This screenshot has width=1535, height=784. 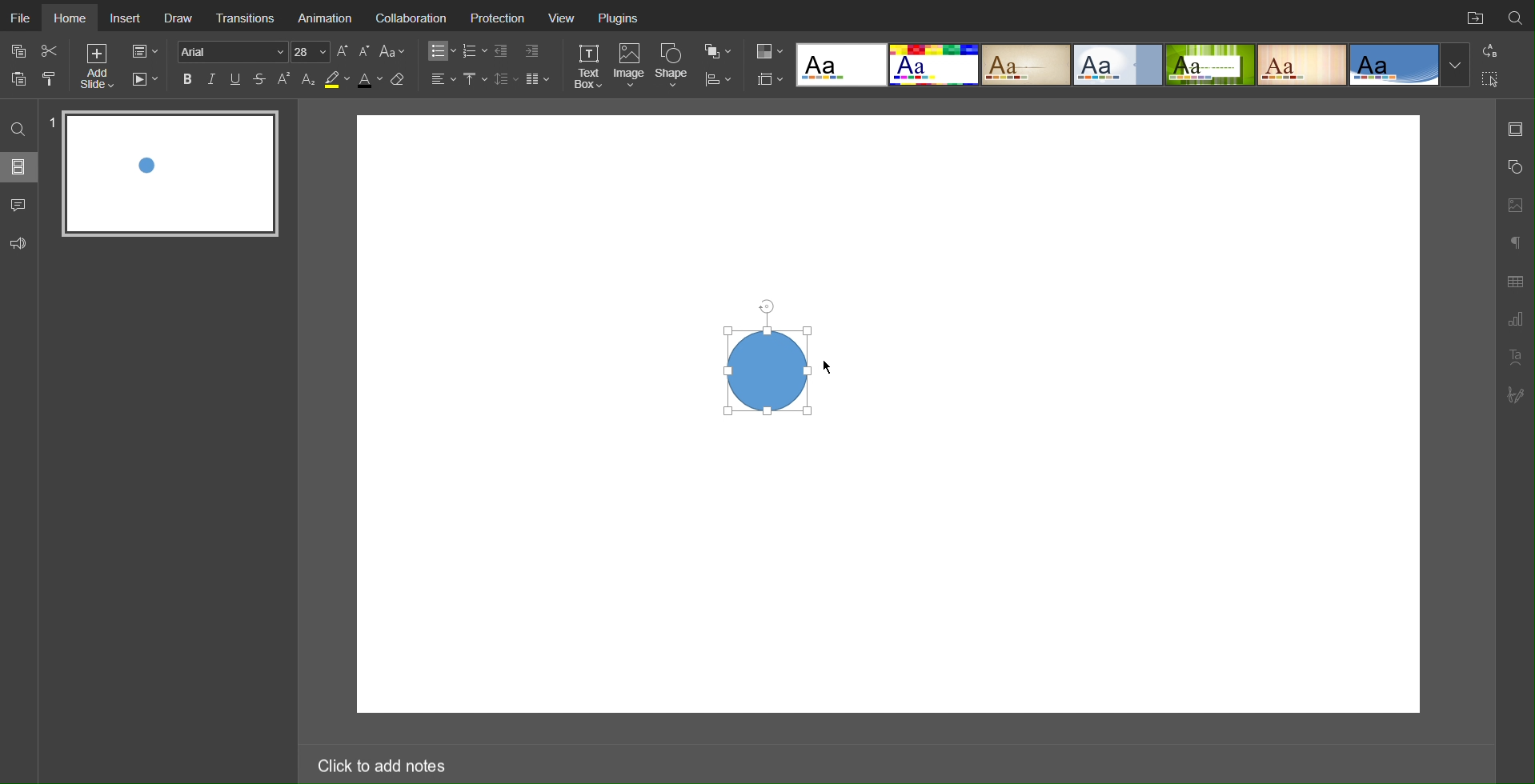 I want to click on Line Spacing, so click(x=506, y=78).